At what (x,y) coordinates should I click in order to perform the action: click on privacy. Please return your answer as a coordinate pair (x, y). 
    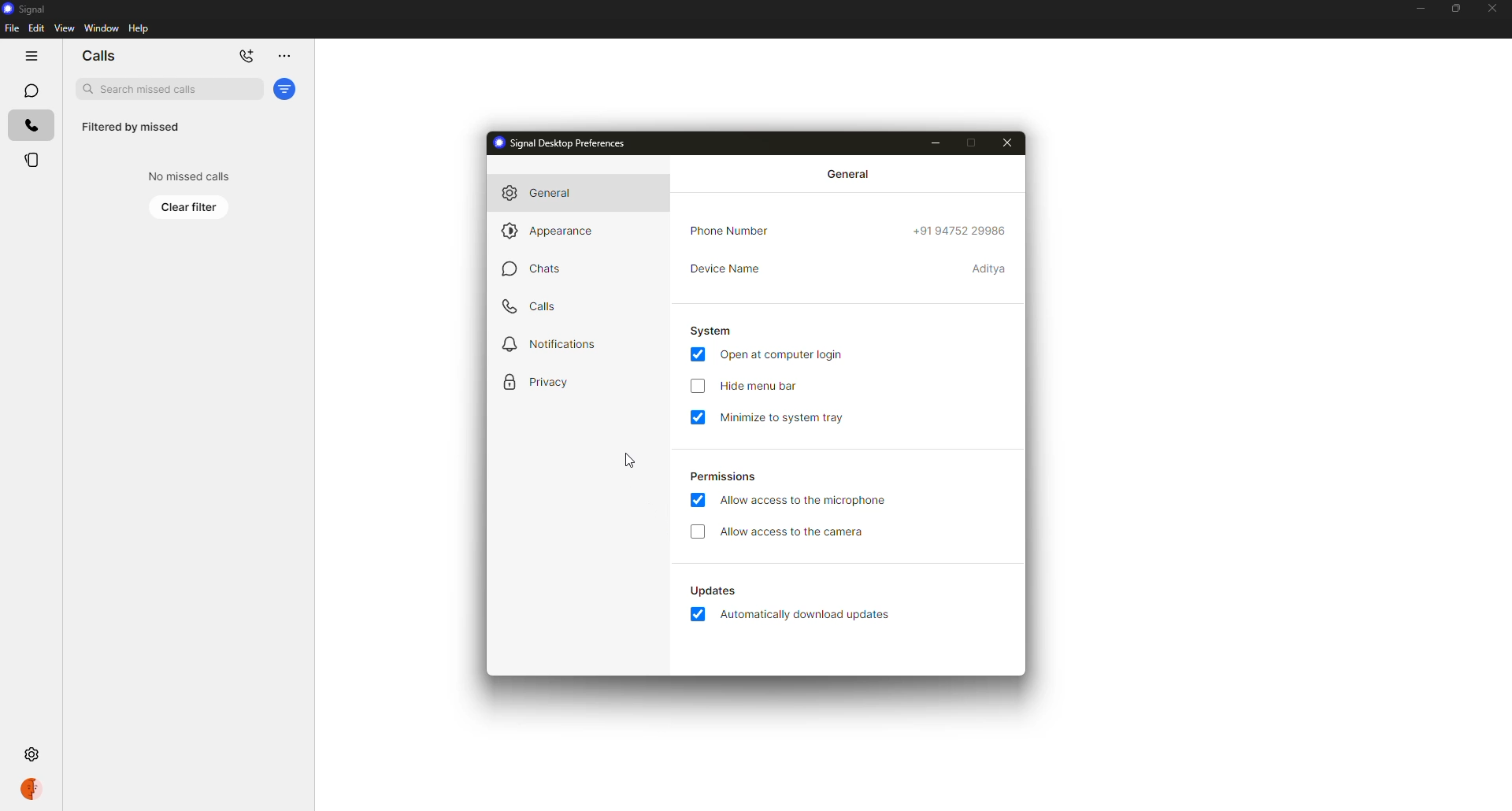
    Looking at the image, I should click on (540, 380).